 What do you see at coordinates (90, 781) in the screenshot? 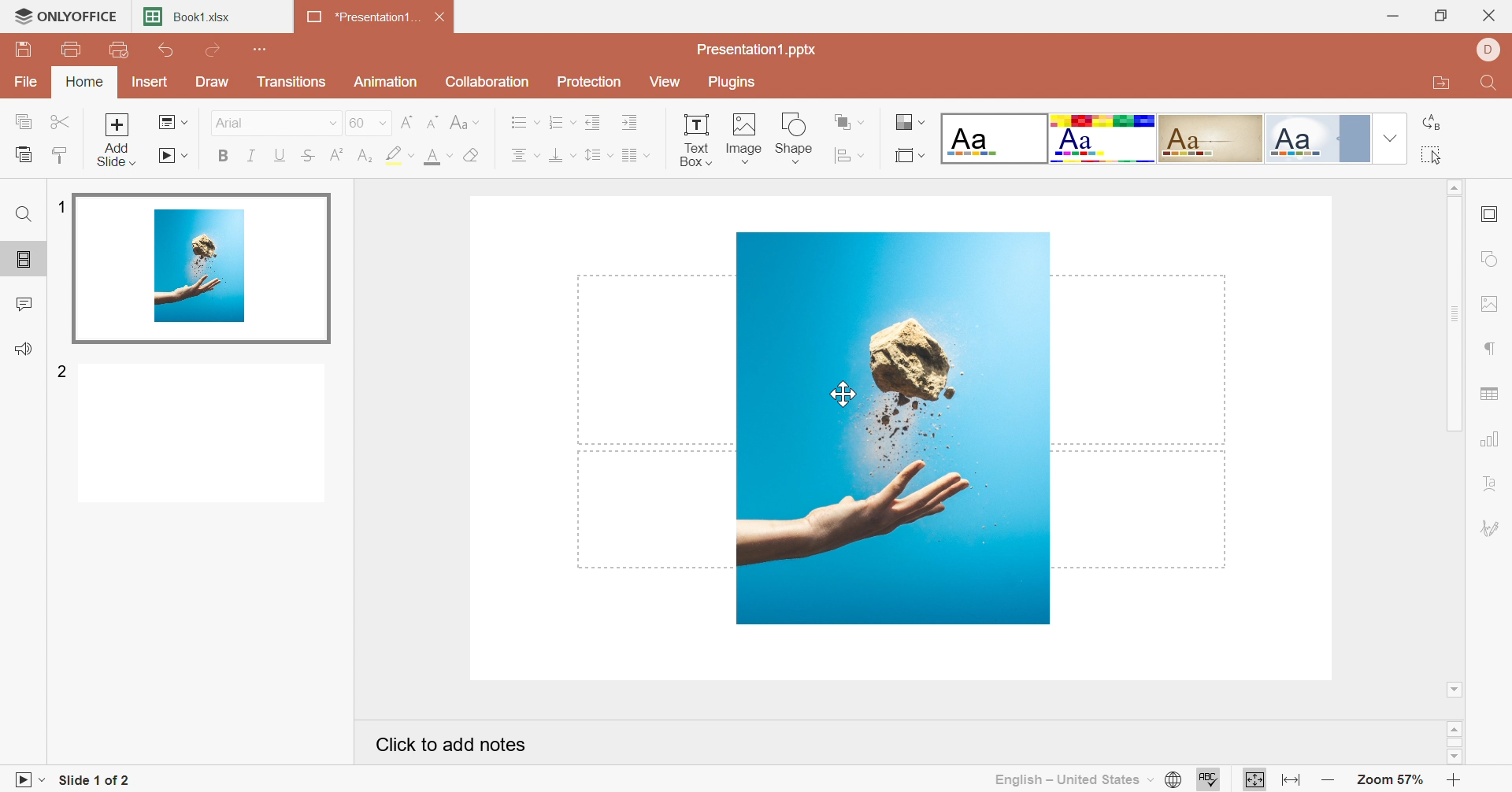
I see `Slide 1 of 2` at bounding box center [90, 781].